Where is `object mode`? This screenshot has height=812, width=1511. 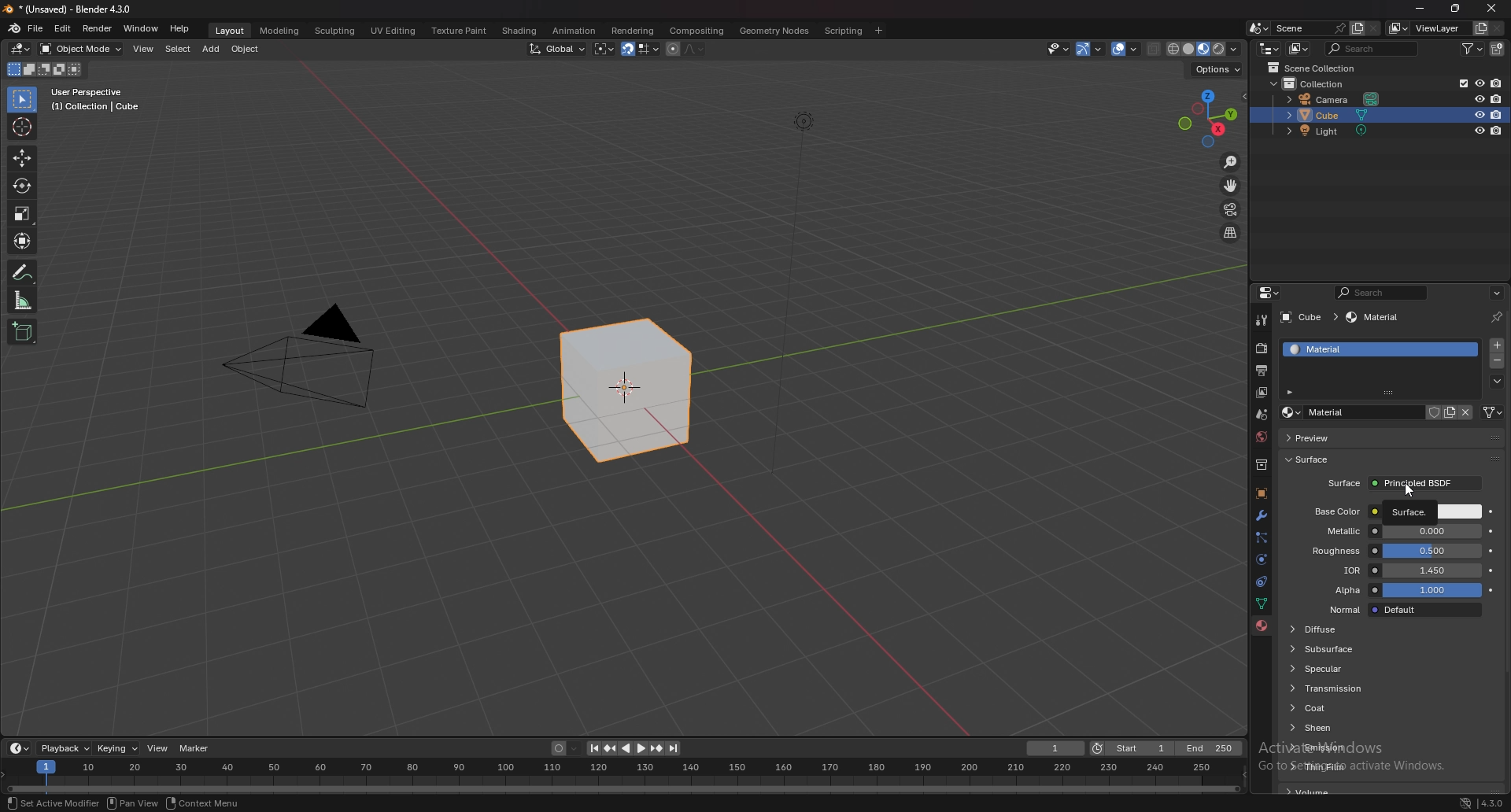 object mode is located at coordinates (82, 48).